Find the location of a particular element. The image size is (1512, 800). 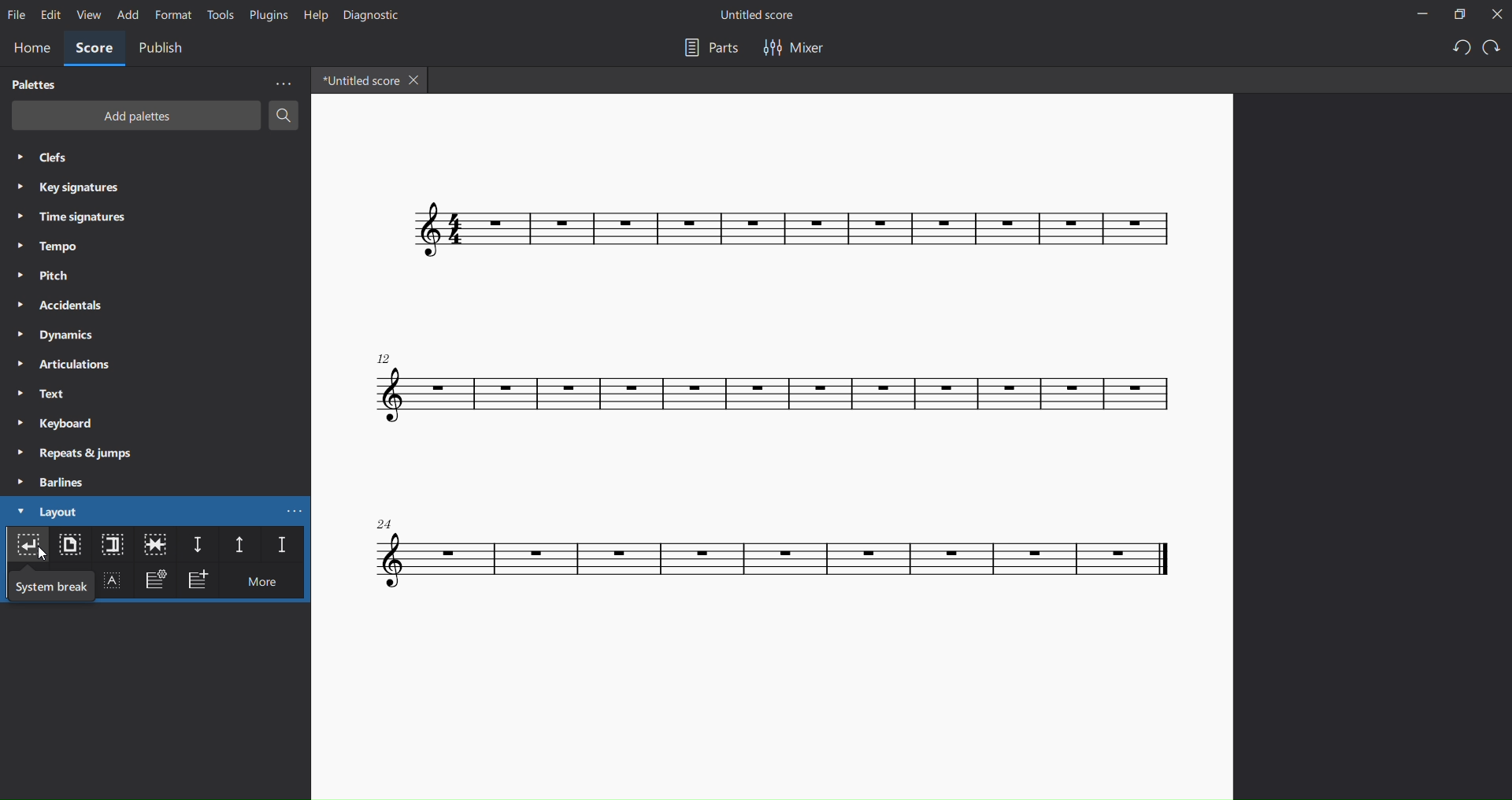

add is located at coordinates (127, 16).